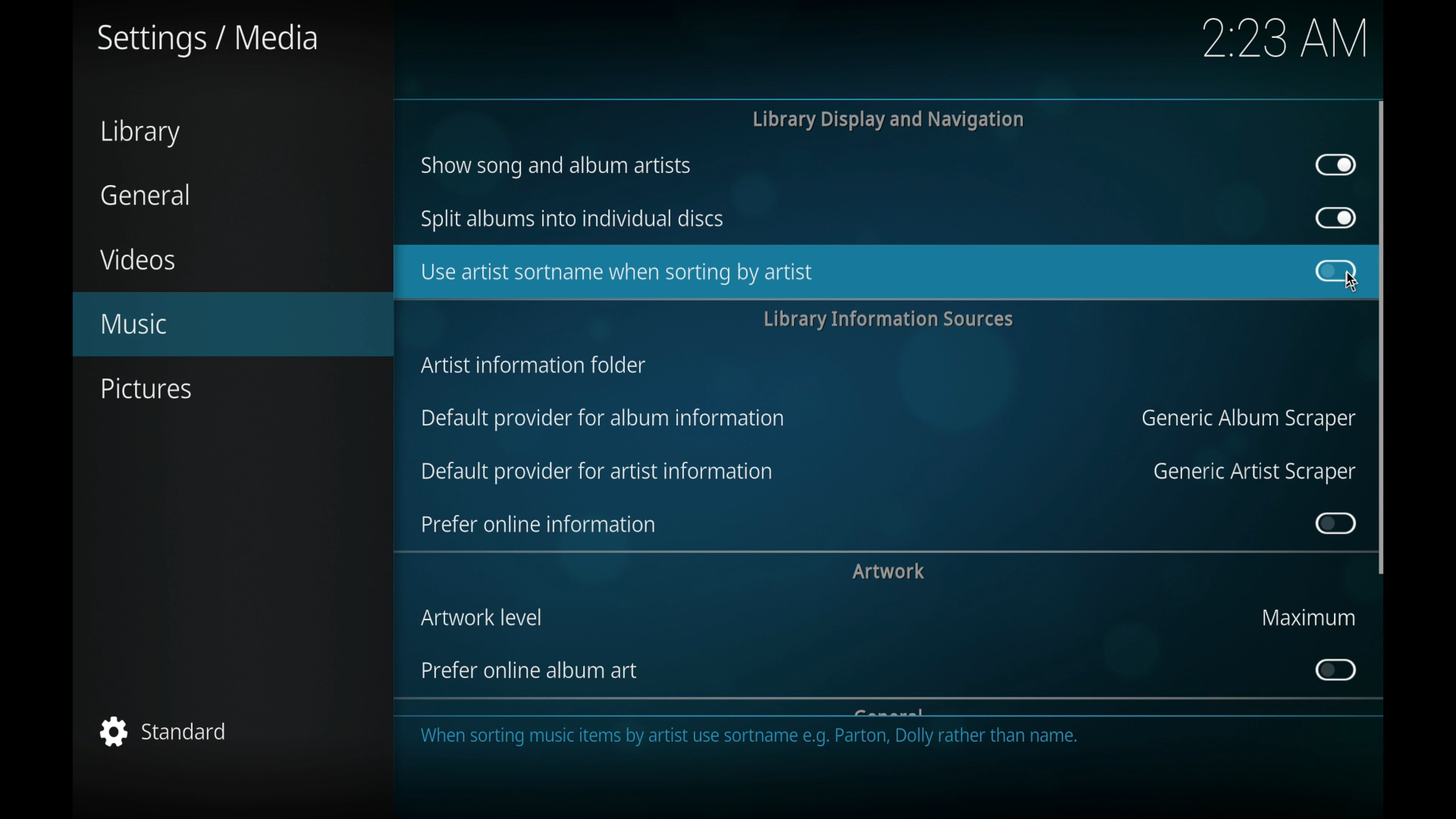 This screenshot has height=819, width=1456. What do you see at coordinates (222, 323) in the screenshot?
I see `music` at bounding box center [222, 323].